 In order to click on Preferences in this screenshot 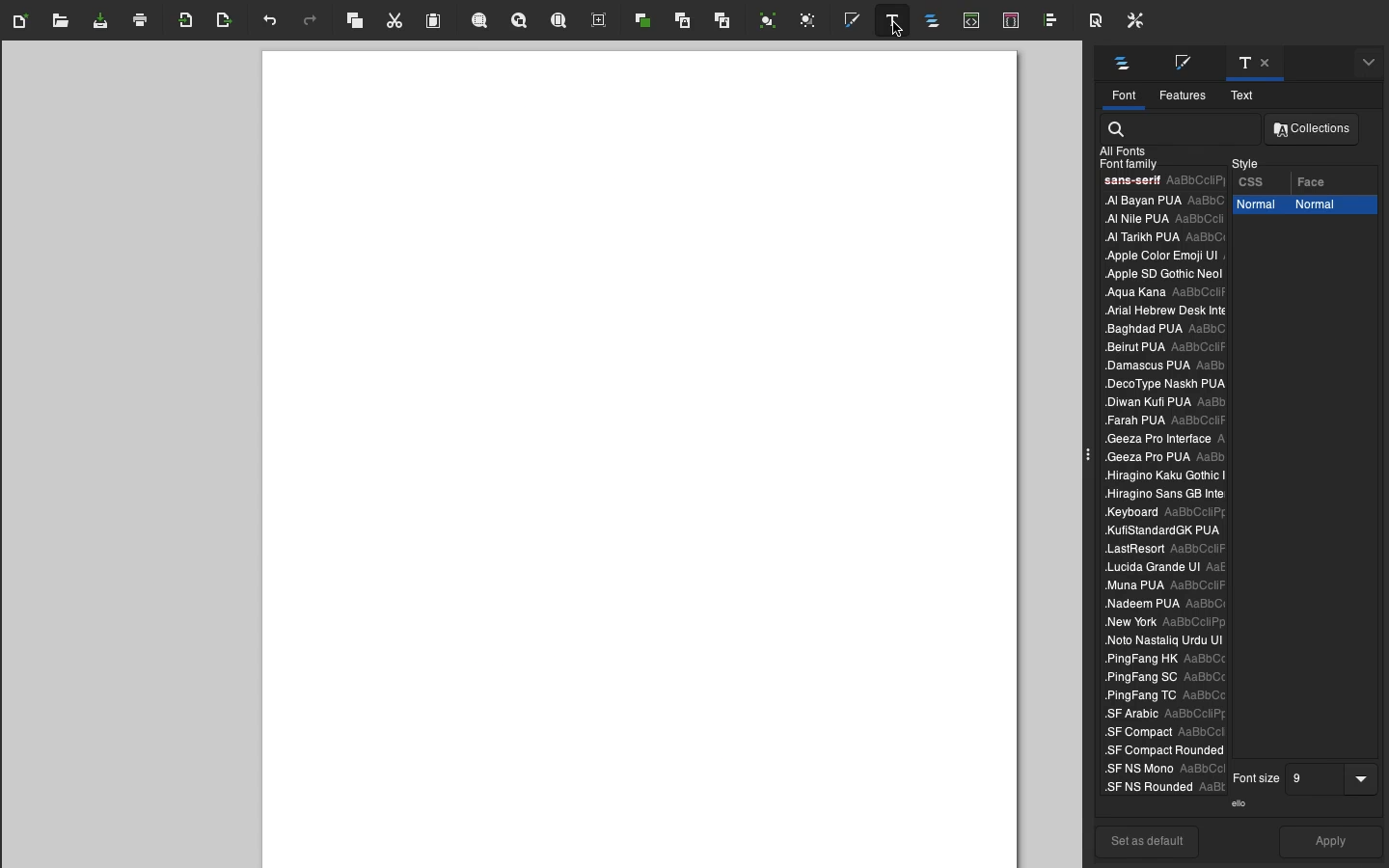, I will do `click(1134, 21)`.